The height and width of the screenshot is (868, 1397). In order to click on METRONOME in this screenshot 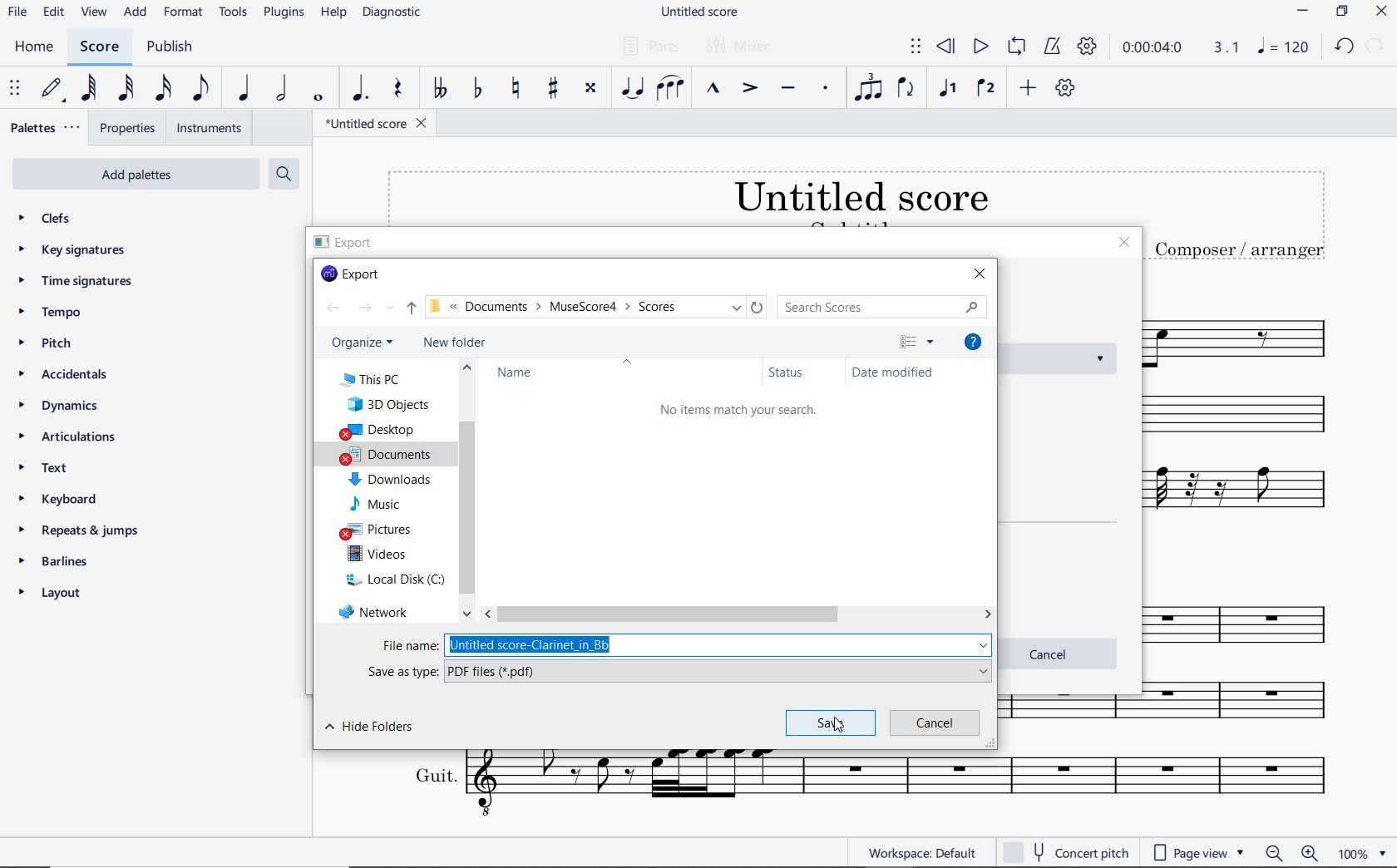, I will do `click(1054, 47)`.